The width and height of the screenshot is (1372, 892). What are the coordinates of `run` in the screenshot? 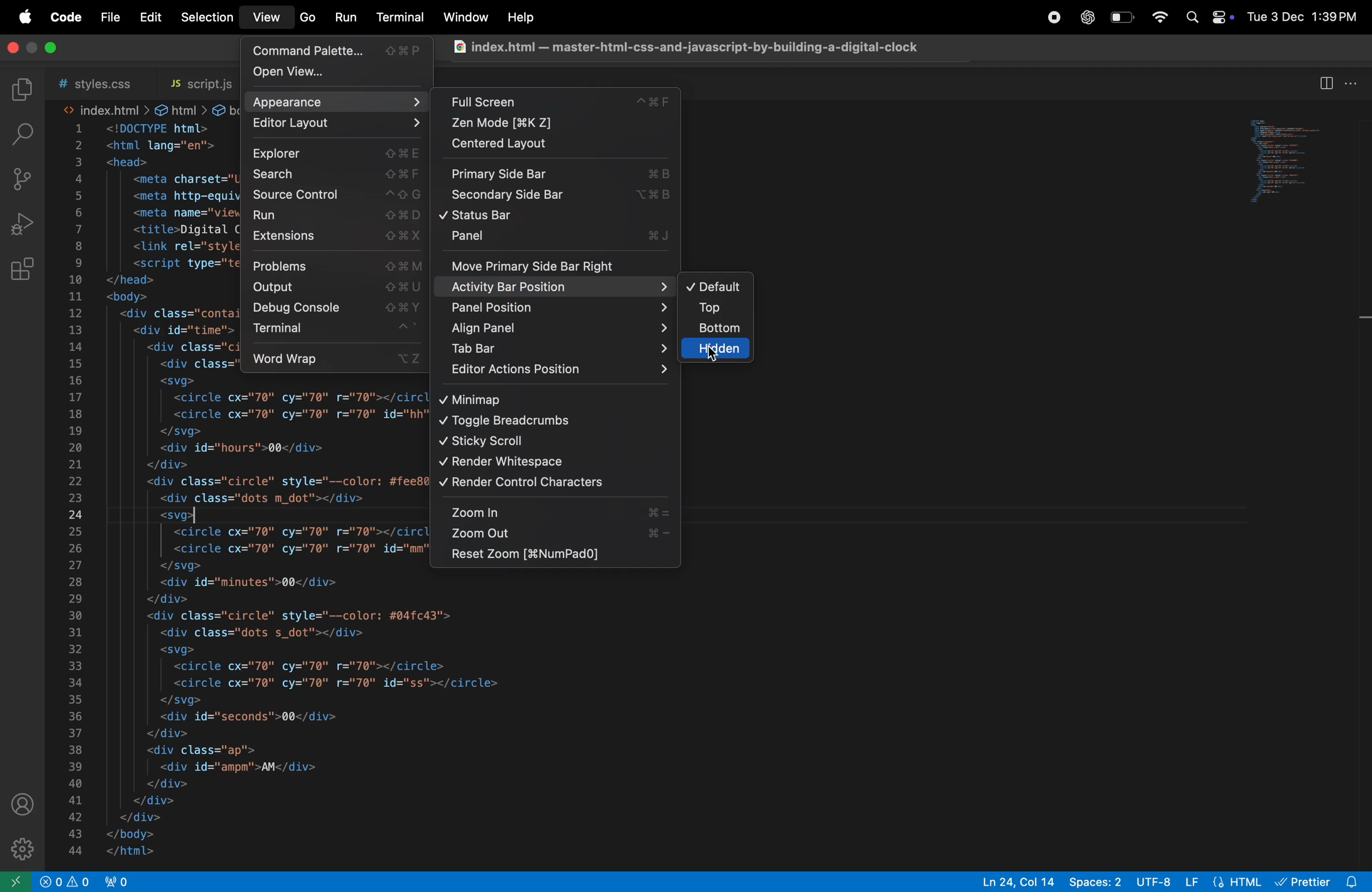 It's located at (346, 19).